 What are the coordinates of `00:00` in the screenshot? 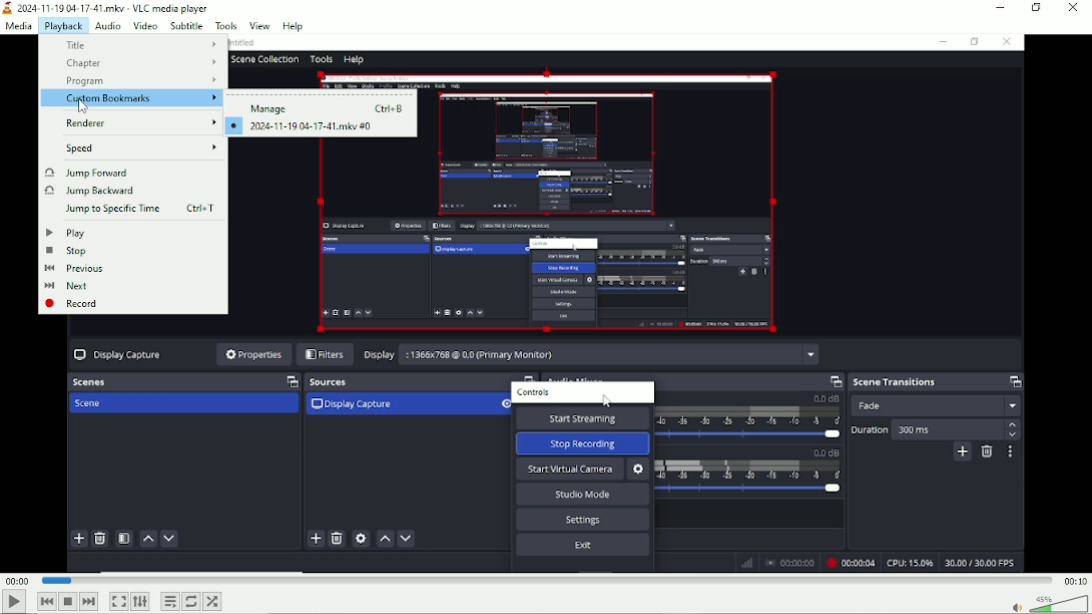 It's located at (18, 581).